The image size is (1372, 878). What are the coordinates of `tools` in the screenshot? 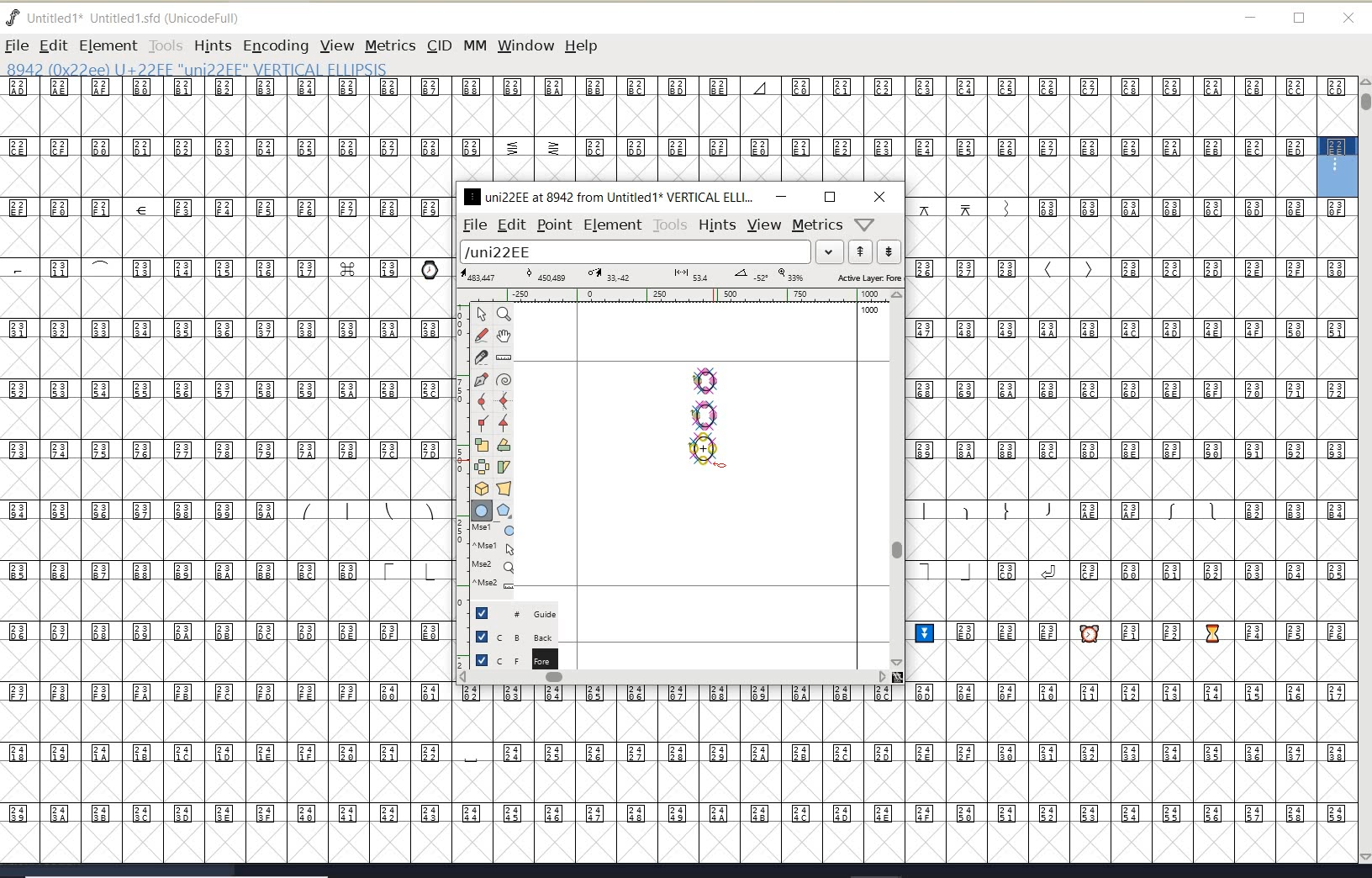 It's located at (671, 225).